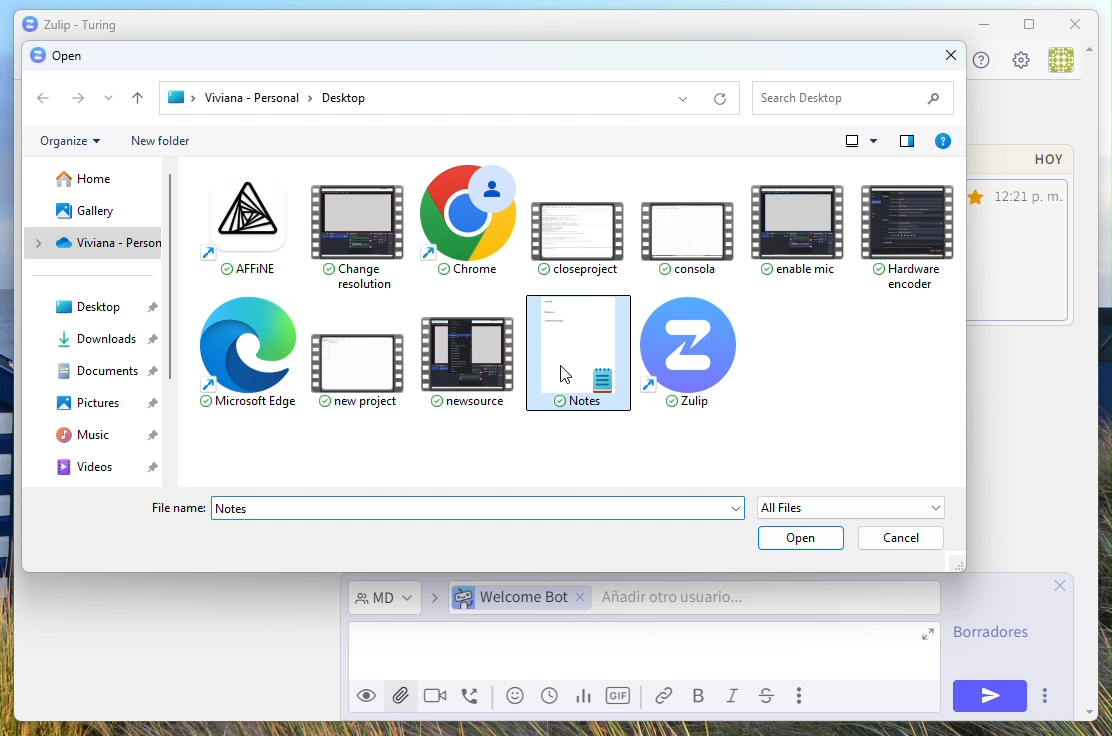 This screenshot has height=736, width=1112. What do you see at coordinates (800, 538) in the screenshot?
I see `open` at bounding box center [800, 538].